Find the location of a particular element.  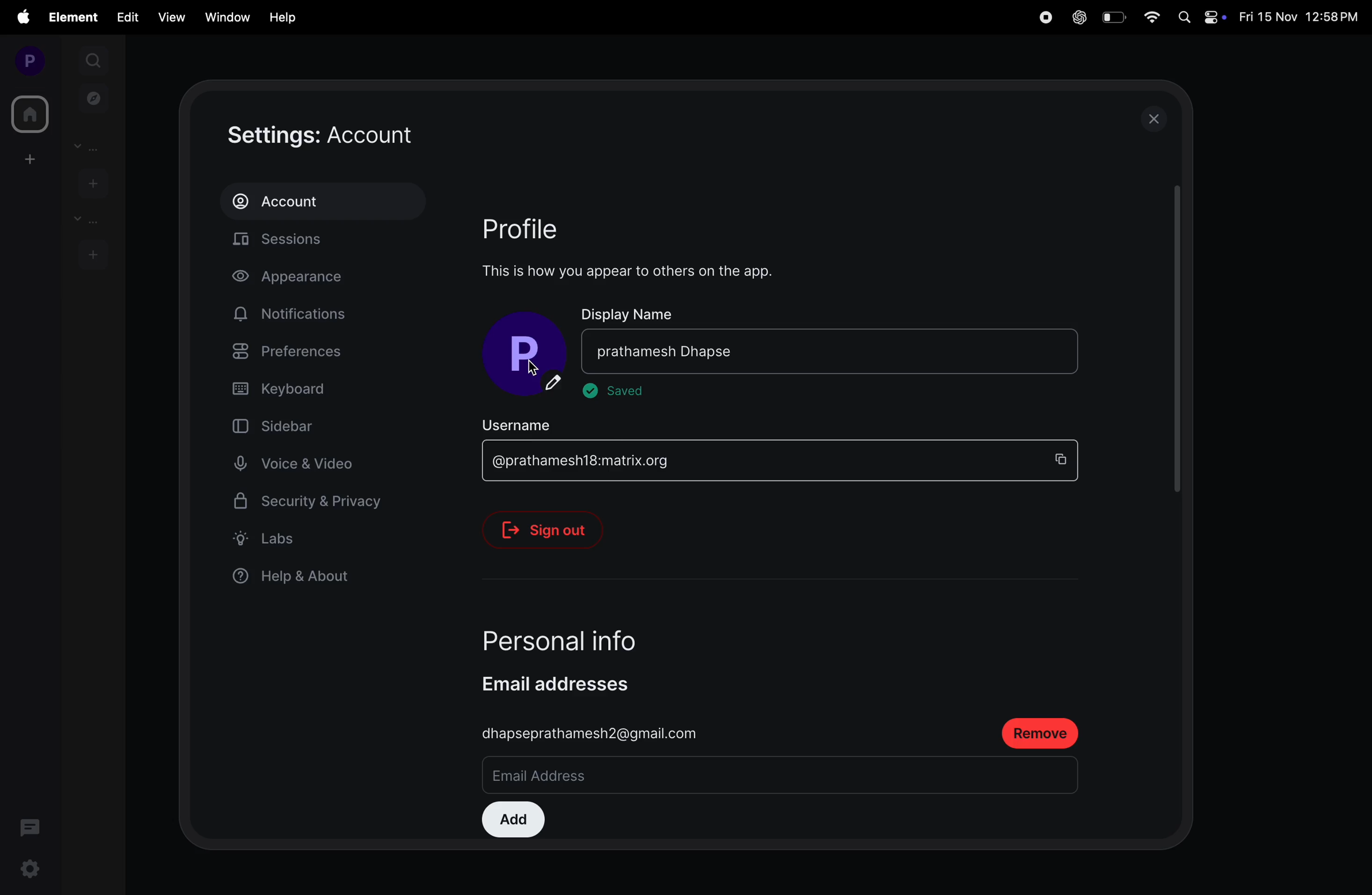

profile is located at coordinates (25, 60).